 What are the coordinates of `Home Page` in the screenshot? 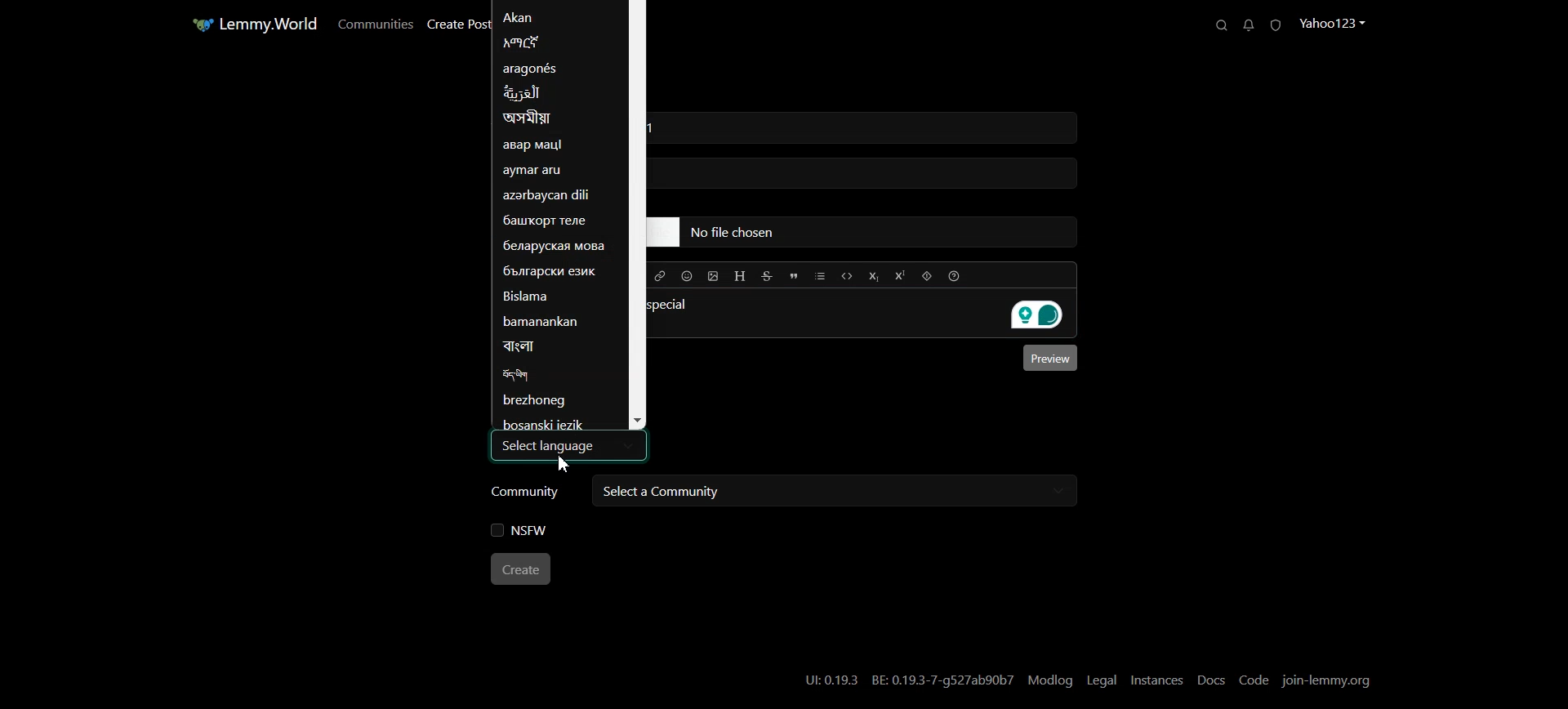 It's located at (251, 25).